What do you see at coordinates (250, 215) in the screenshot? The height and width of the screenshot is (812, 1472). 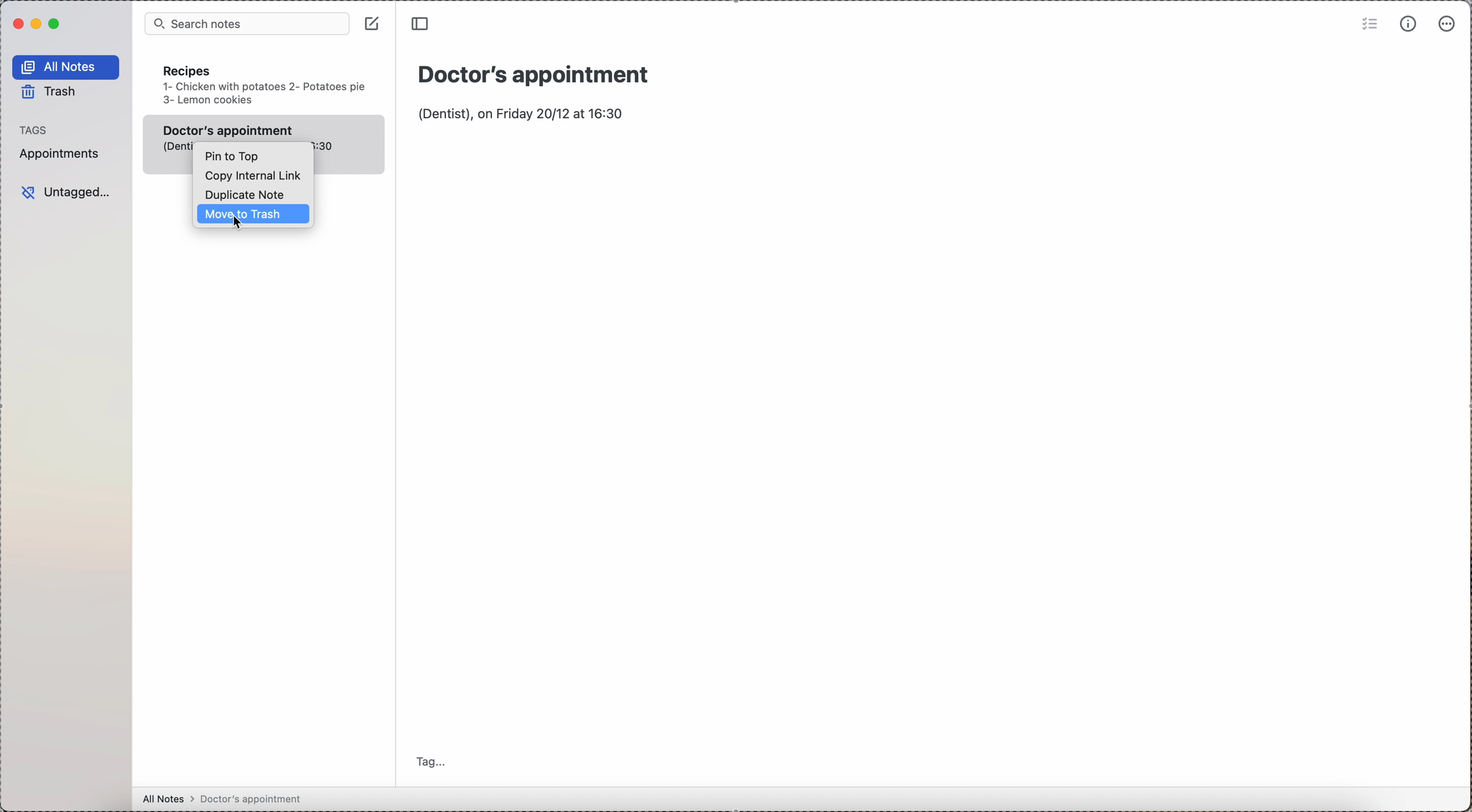 I see `Move to trash` at bounding box center [250, 215].